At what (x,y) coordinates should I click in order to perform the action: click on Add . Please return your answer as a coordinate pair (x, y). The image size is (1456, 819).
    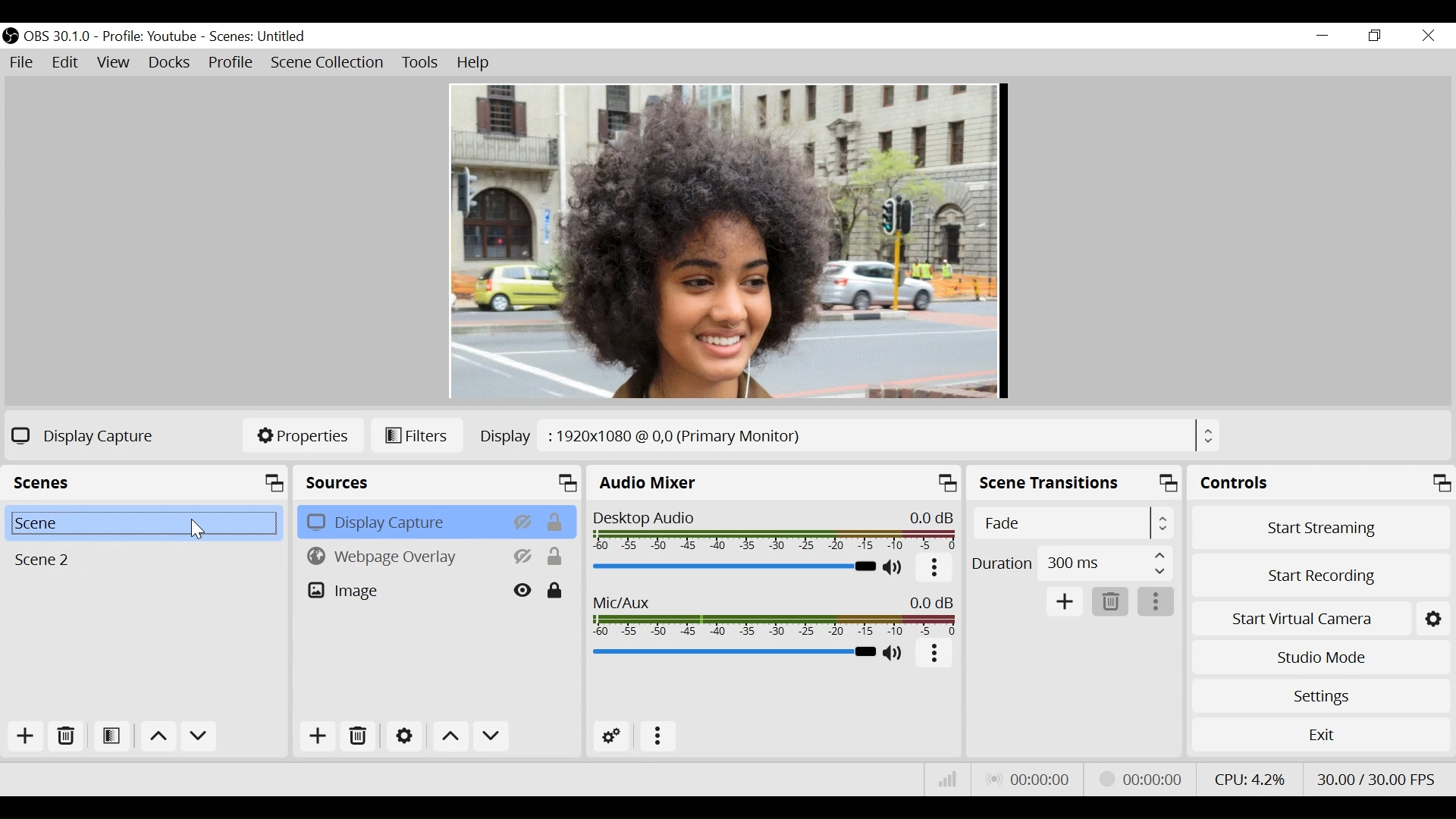
    Looking at the image, I should click on (1064, 600).